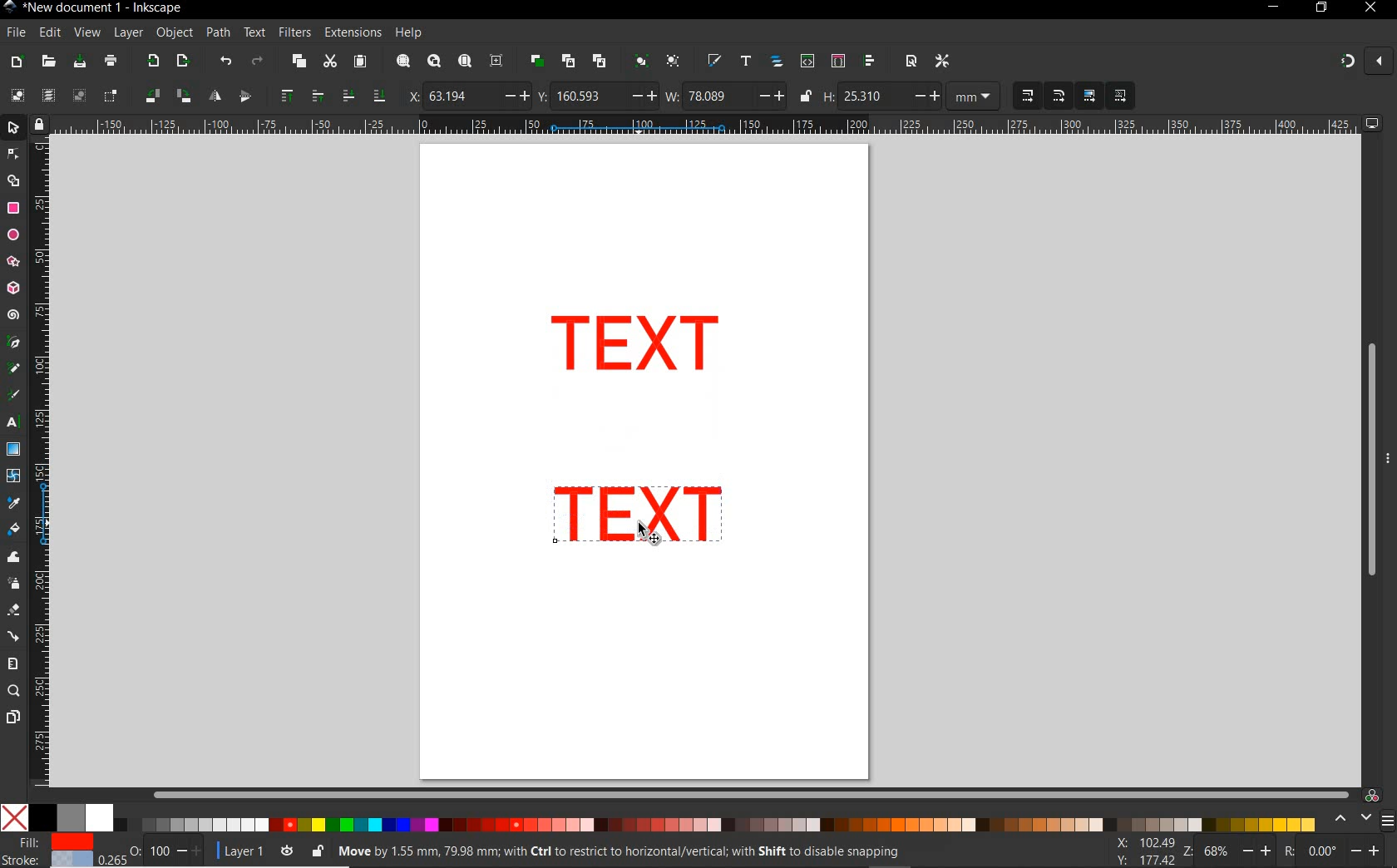  What do you see at coordinates (329, 62) in the screenshot?
I see `cut` at bounding box center [329, 62].